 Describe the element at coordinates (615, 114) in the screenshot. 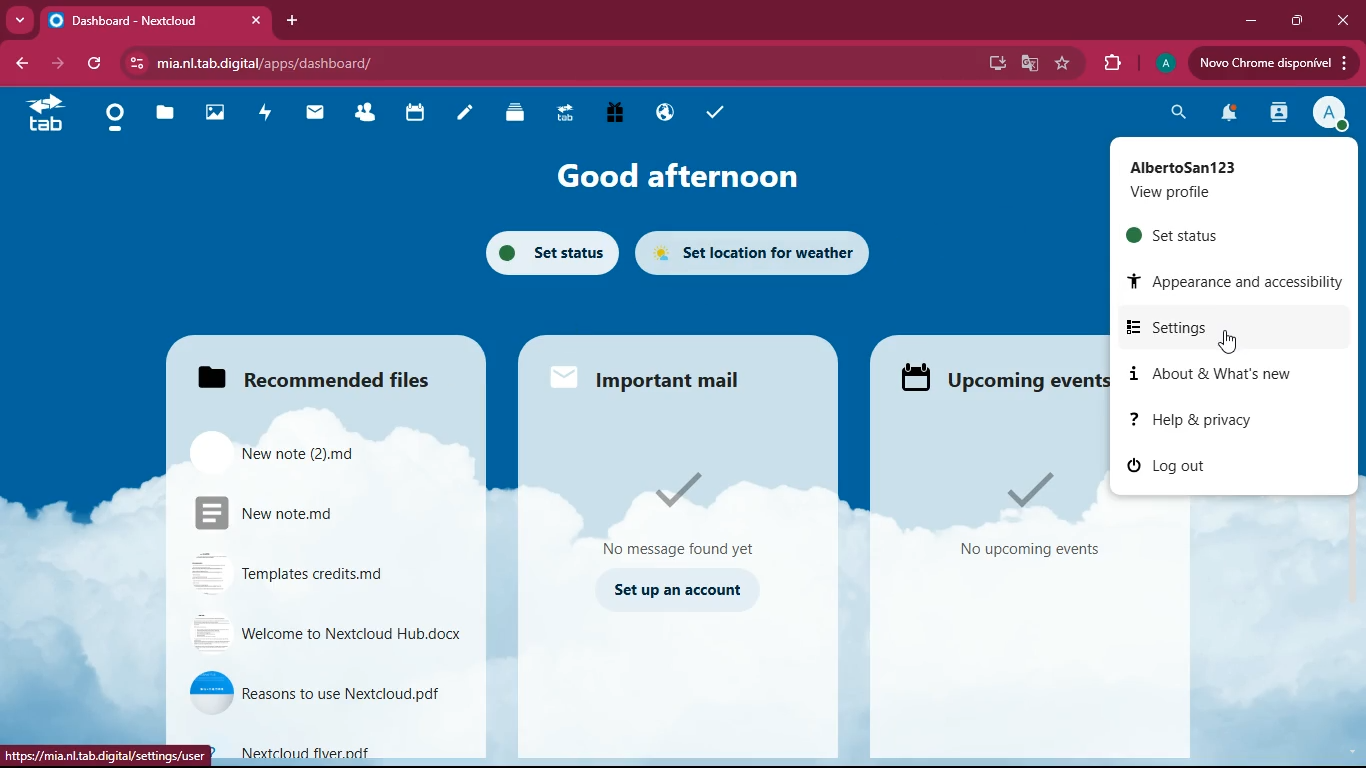

I see `gift` at that location.